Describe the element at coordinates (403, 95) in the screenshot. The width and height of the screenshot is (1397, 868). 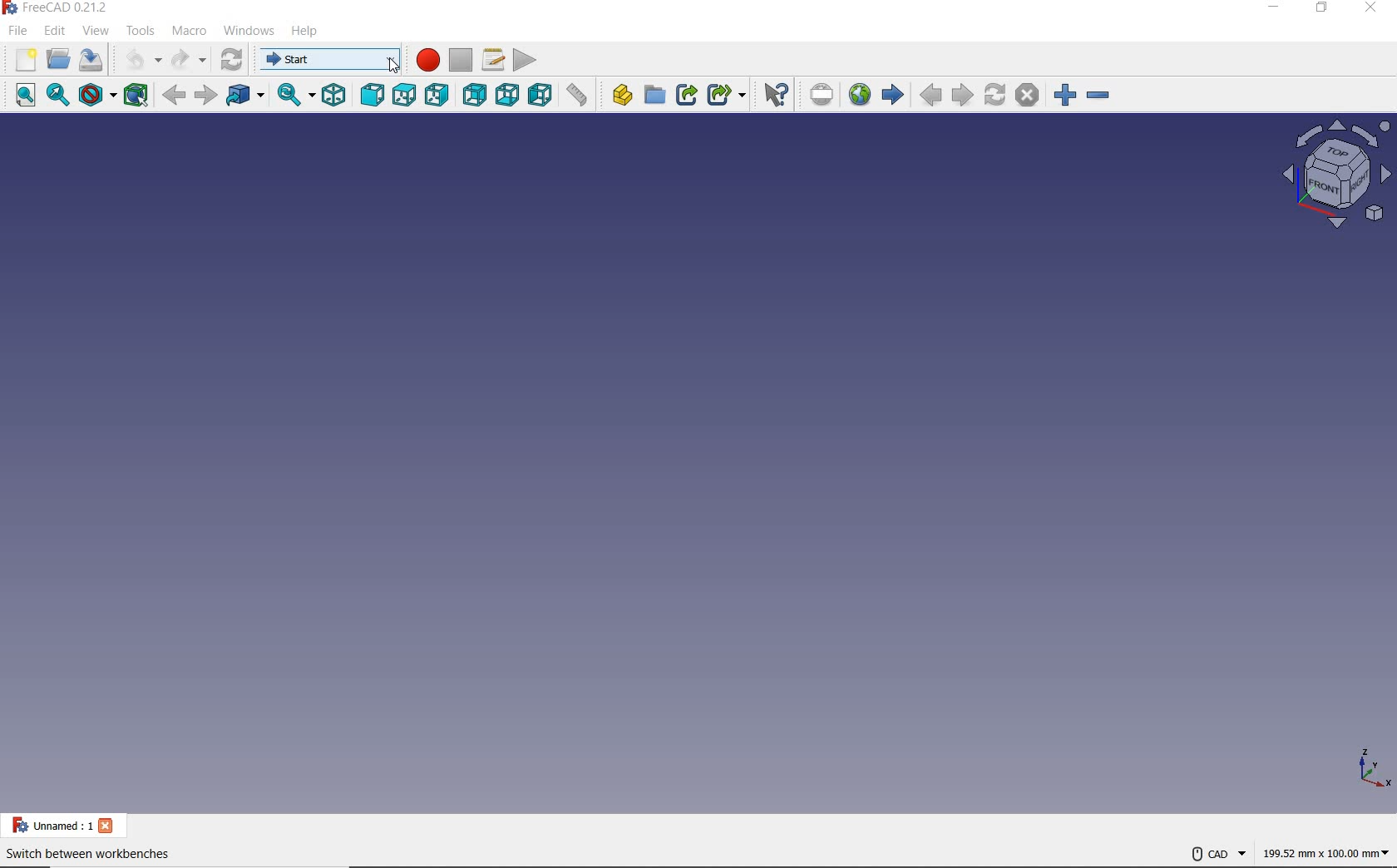
I see `TOP` at that location.